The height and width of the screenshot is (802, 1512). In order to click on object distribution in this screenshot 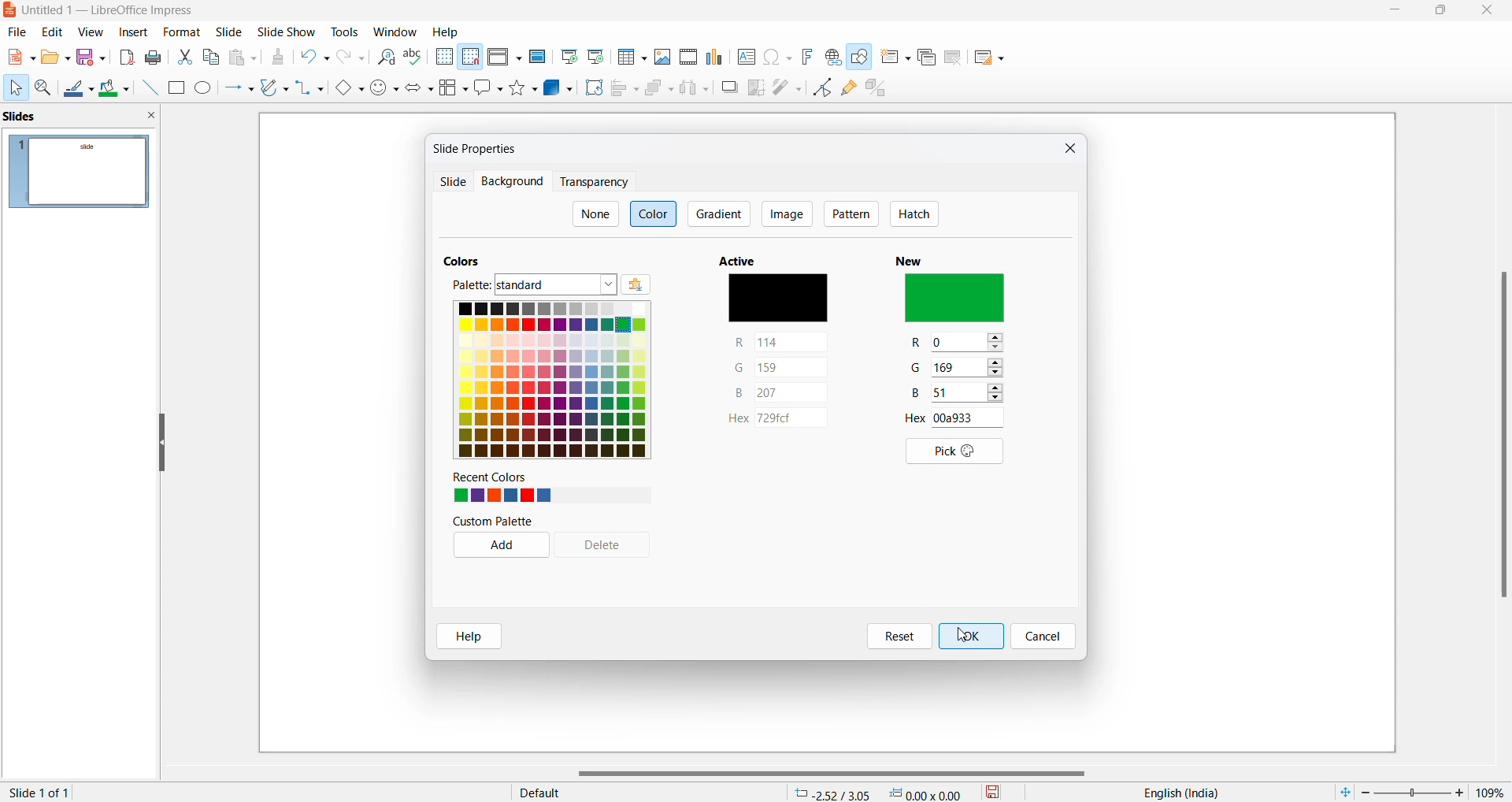, I will do `click(696, 89)`.